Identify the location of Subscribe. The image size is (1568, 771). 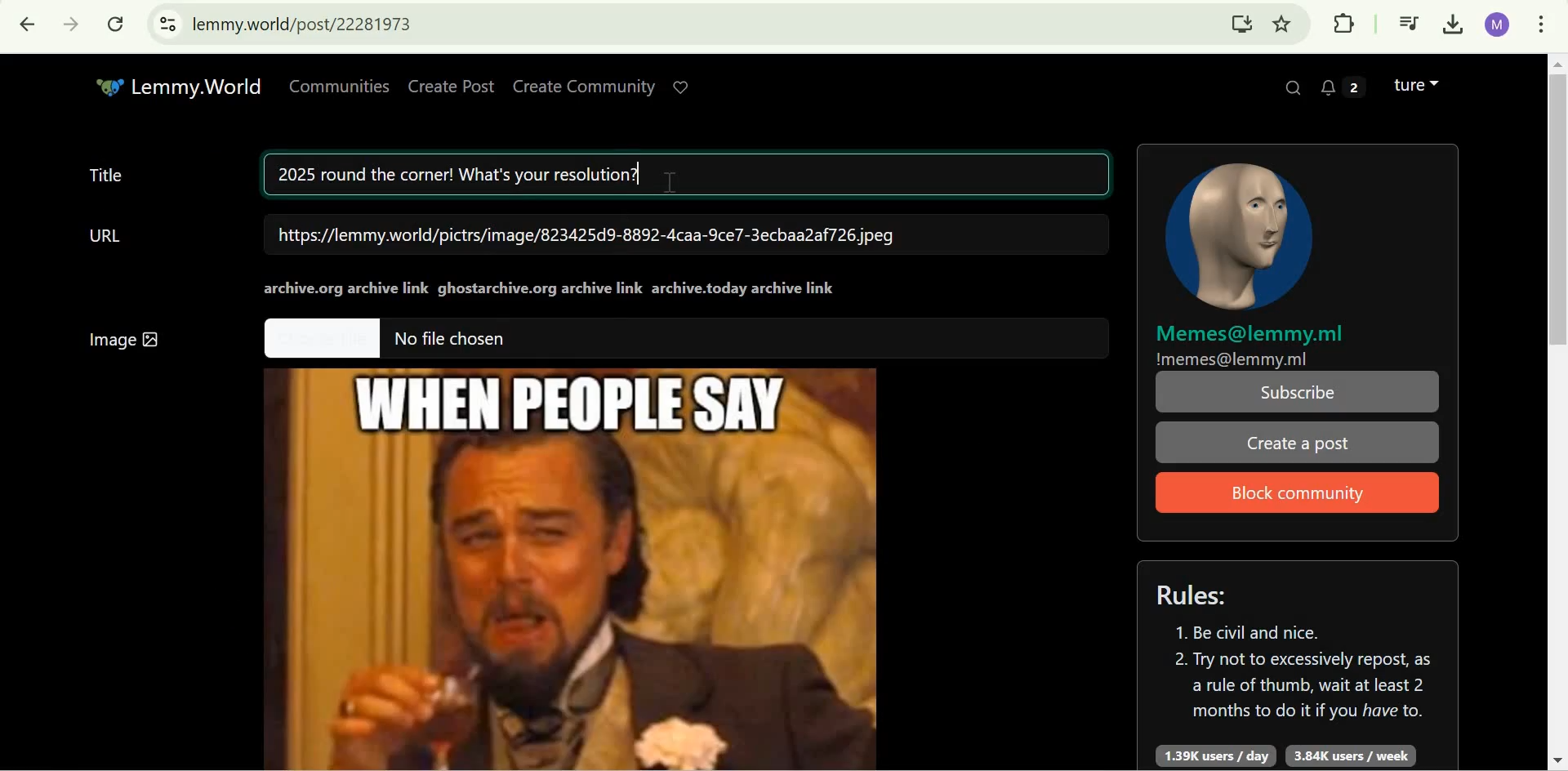
(1299, 392).